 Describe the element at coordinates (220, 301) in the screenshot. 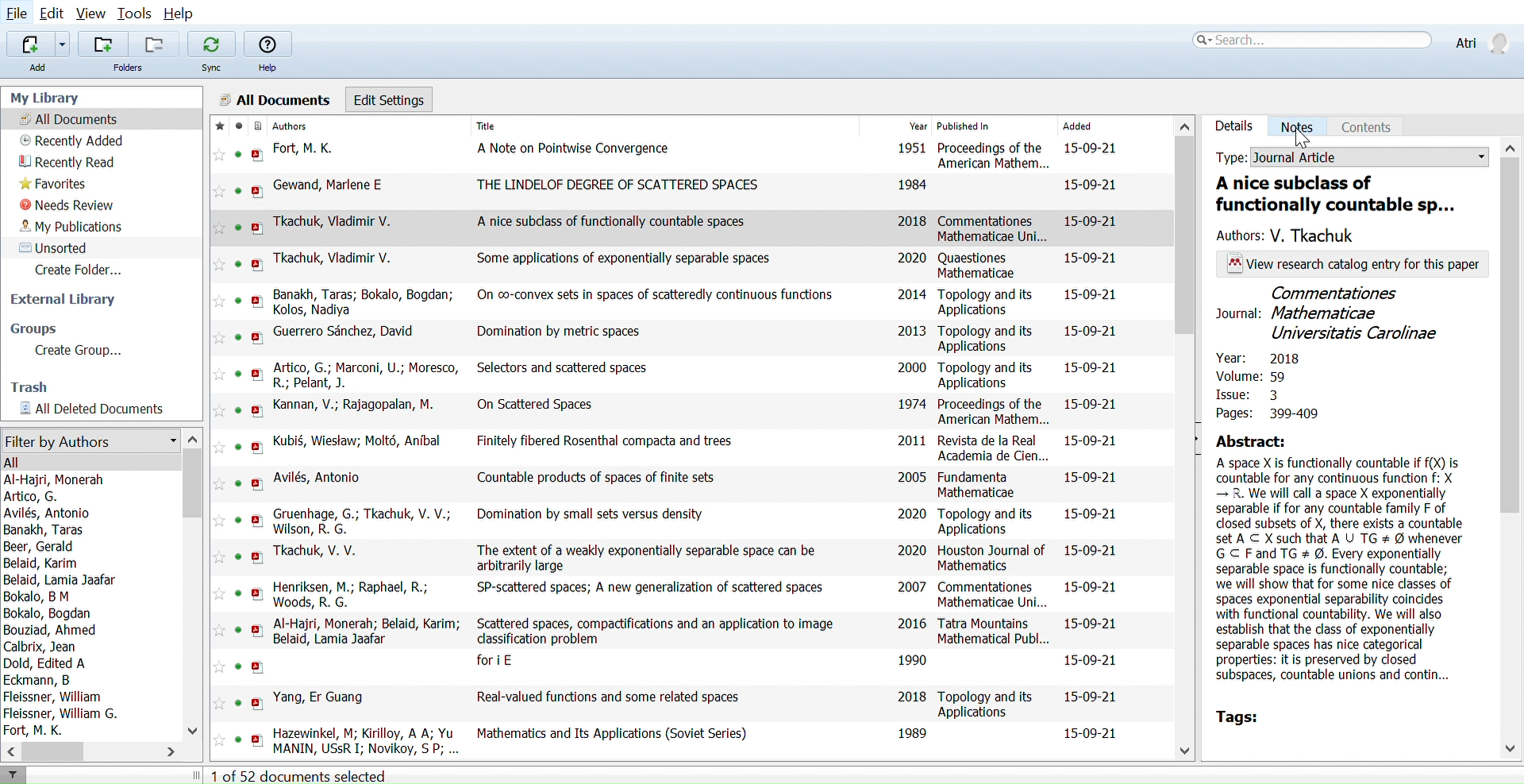

I see `Add this reference to favorites` at that location.